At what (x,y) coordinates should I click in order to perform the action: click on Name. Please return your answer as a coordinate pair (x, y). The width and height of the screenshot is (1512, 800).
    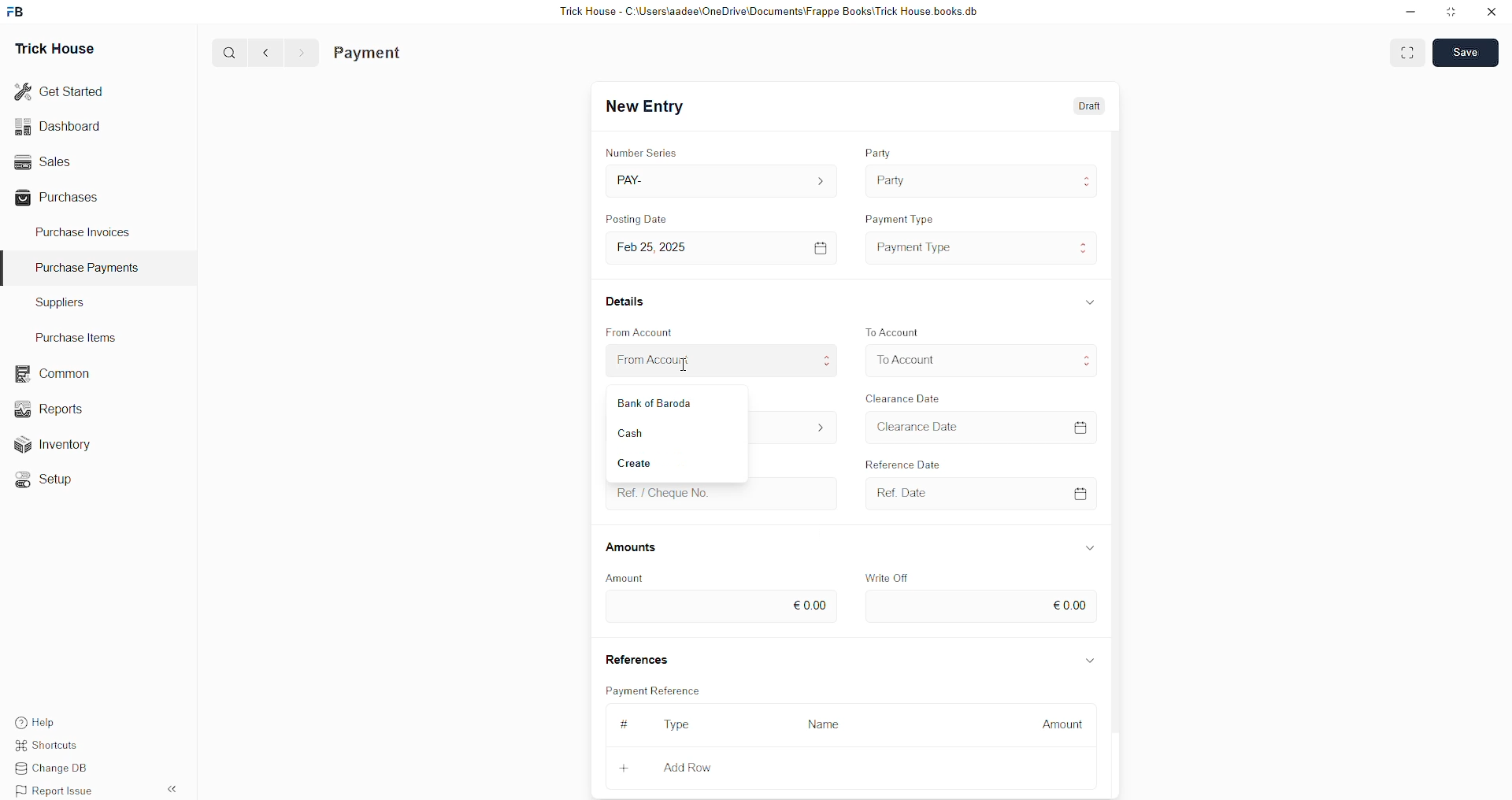
    Looking at the image, I should click on (828, 724).